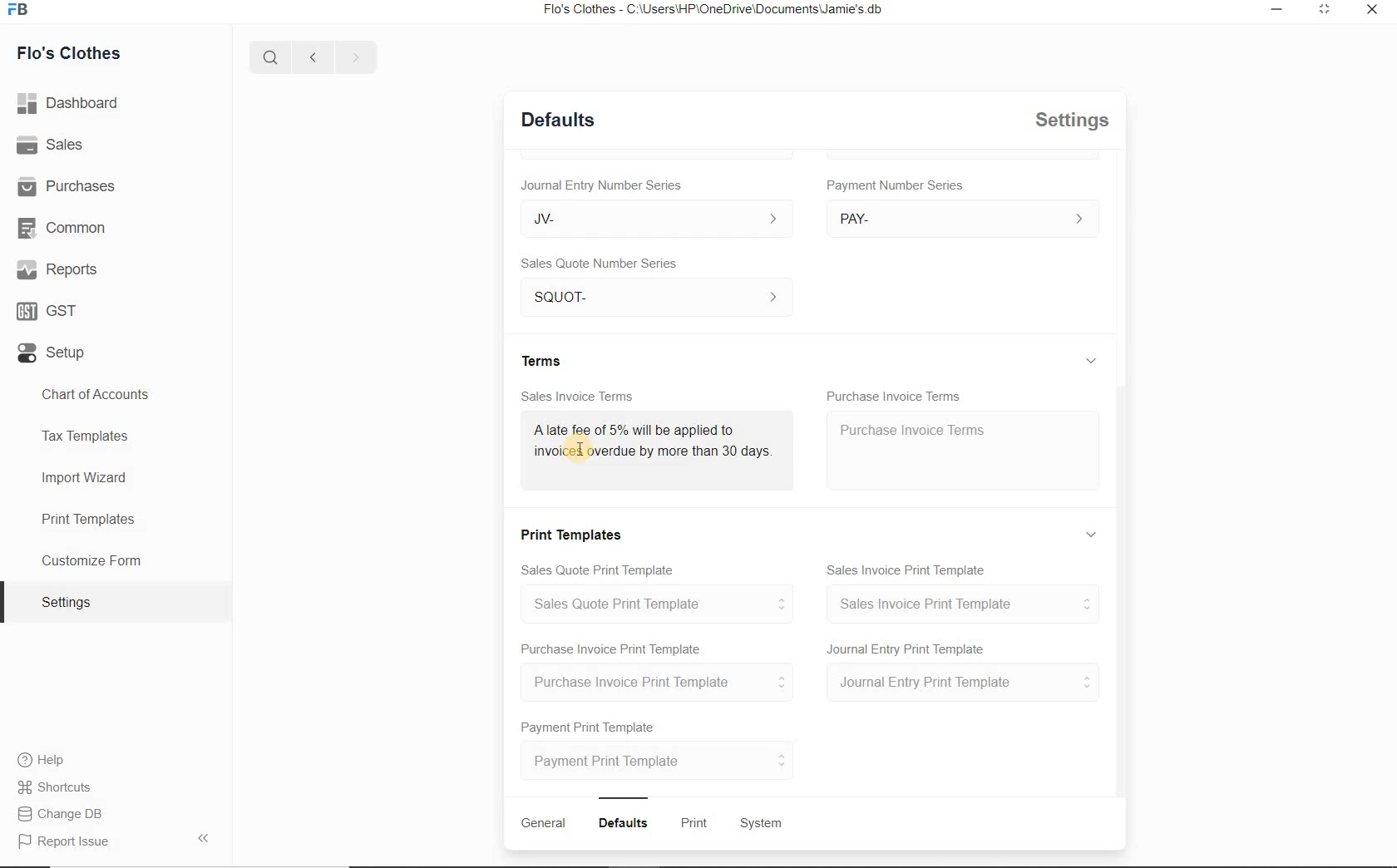 The width and height of the screenshot is (1397, 868). What do you see at coordinates (50, 357) in the screenshot?
I see `Setup` at bounding box center [50, 357].